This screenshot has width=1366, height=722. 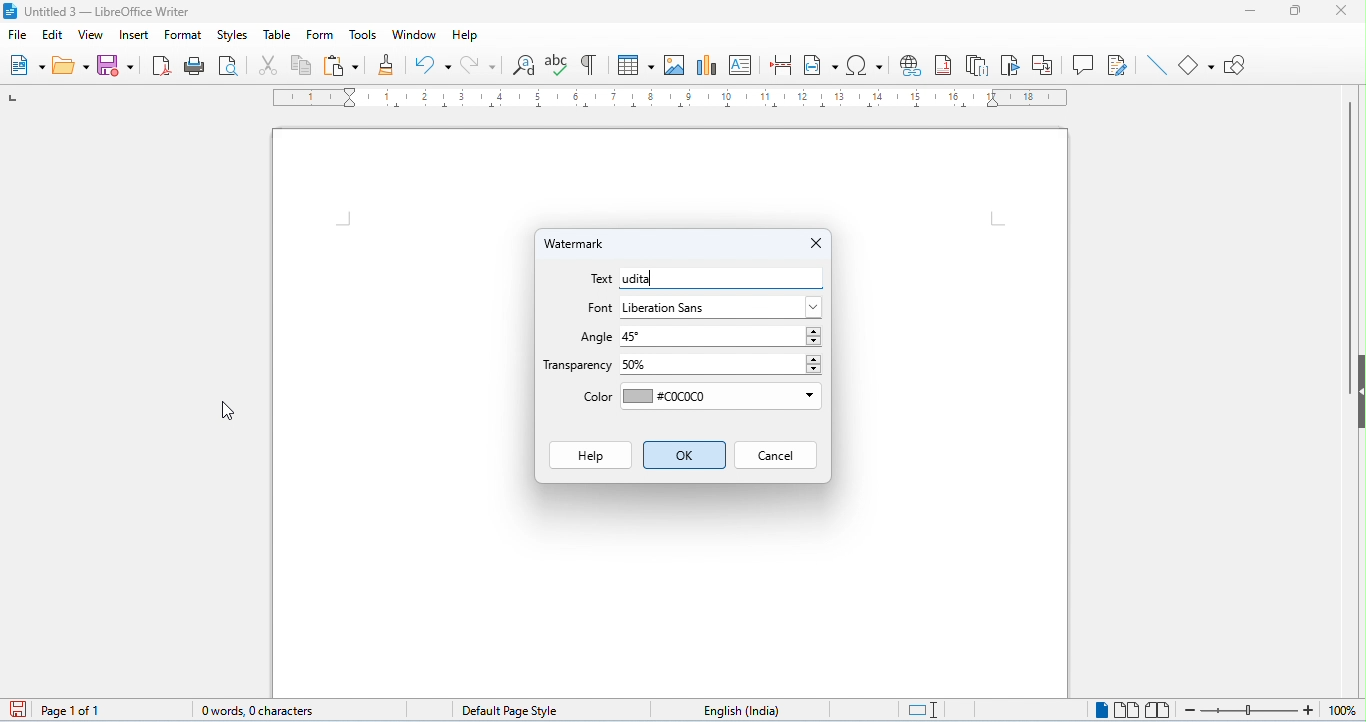 I want to click on insert image, so click(x=677, y=65).